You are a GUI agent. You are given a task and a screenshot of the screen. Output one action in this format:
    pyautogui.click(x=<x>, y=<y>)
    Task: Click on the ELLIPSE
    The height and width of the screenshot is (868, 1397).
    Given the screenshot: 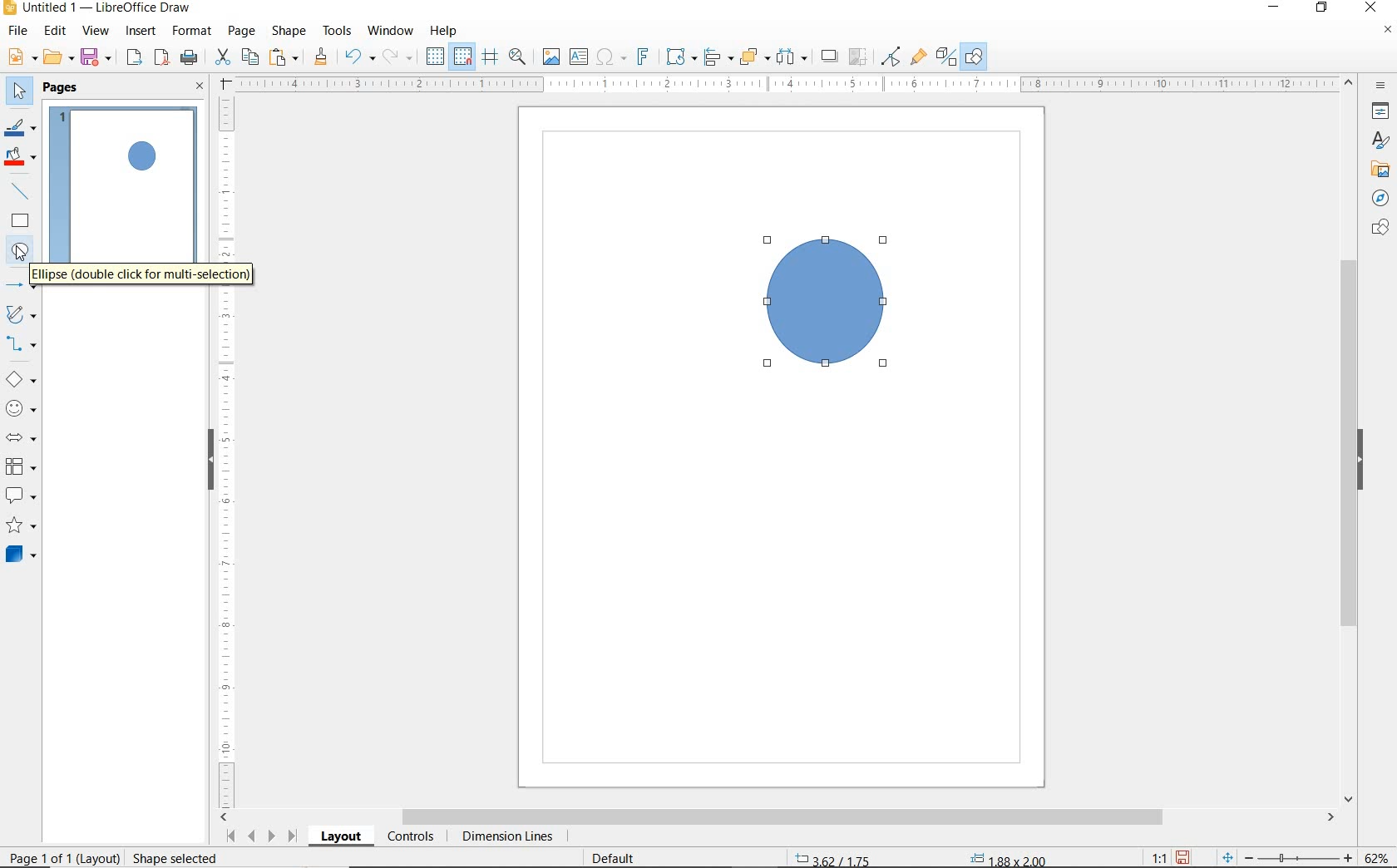 What is the action you would take?
    pyautogui.click(x=21, y=251)
    